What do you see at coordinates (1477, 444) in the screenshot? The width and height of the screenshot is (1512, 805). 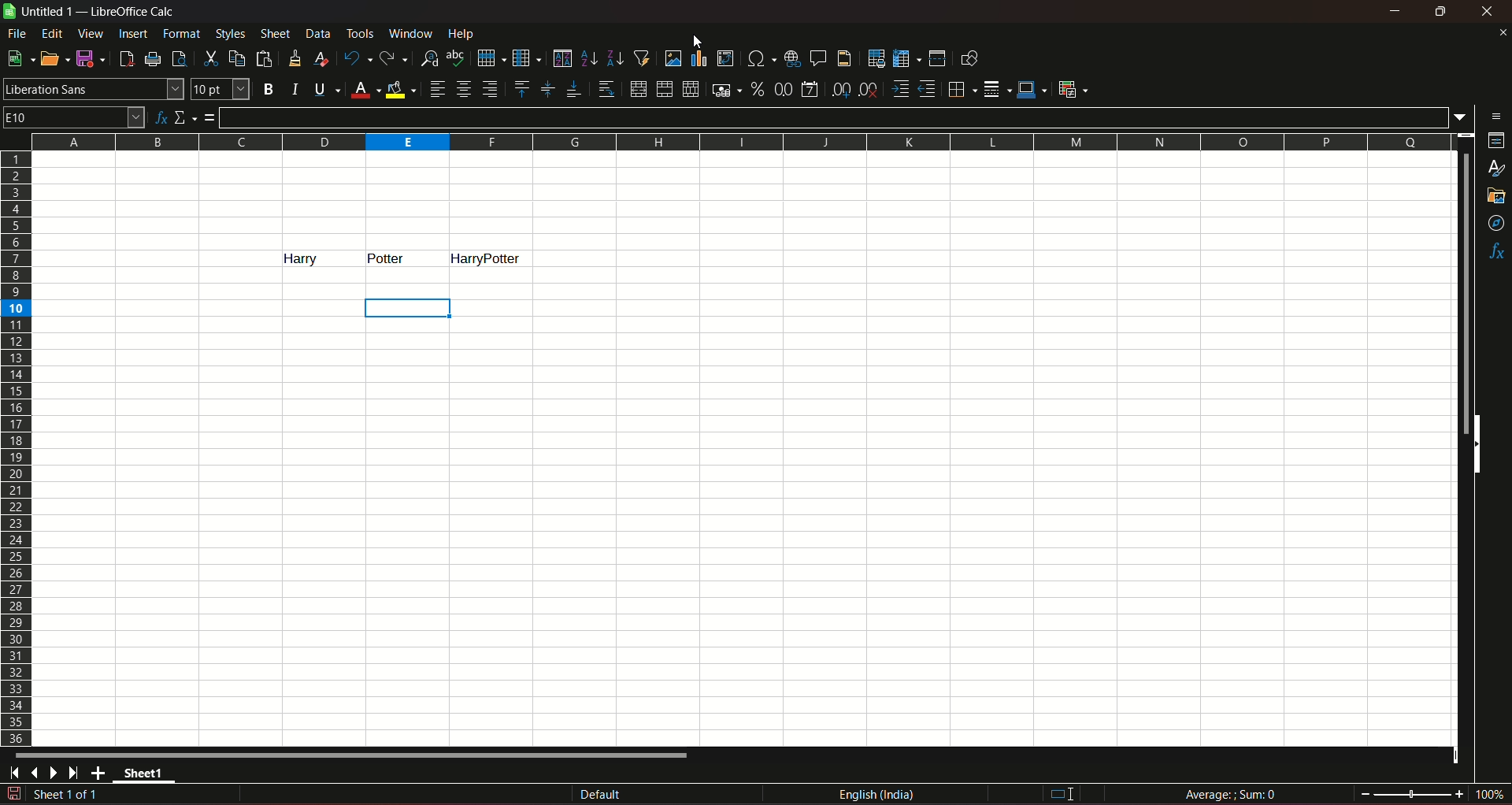 I see `side scrollbars` at bounding box center [1477, 444].